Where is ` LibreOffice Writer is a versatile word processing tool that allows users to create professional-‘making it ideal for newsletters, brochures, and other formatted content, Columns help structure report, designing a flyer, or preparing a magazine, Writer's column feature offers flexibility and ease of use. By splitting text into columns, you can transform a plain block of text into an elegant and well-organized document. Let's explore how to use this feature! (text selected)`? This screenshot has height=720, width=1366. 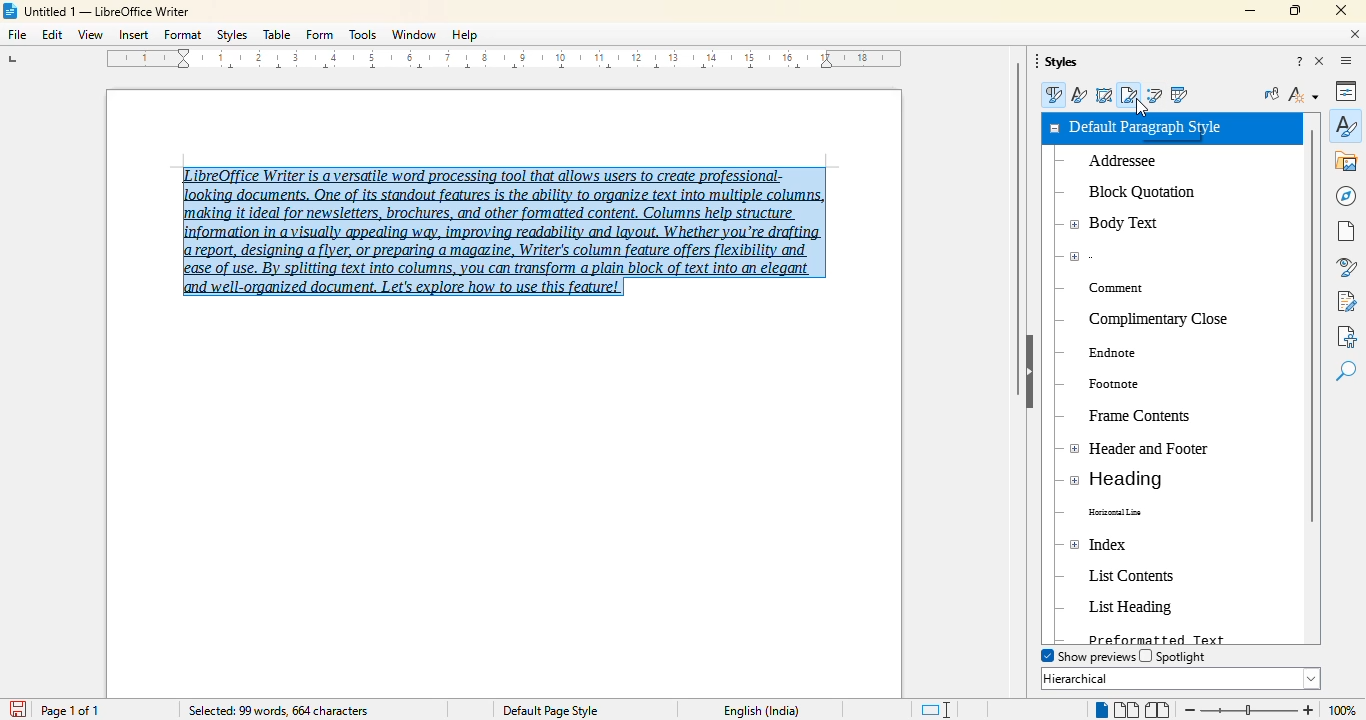  LibreOffice Writer is a versatile word processing tool that allows users to create professional-‘making it ideal for newsletters, brochures, and other formatted content, Columns help structure report, designing a flyer, or preparing a magazine, Writer's column feature offers flexibility and ease of use. By splitting text into columns, you can transform a plain block of text into an elegant and well-organized document. Let's explore how to use this feature! (text selected) is located at coordinates (503, 225).